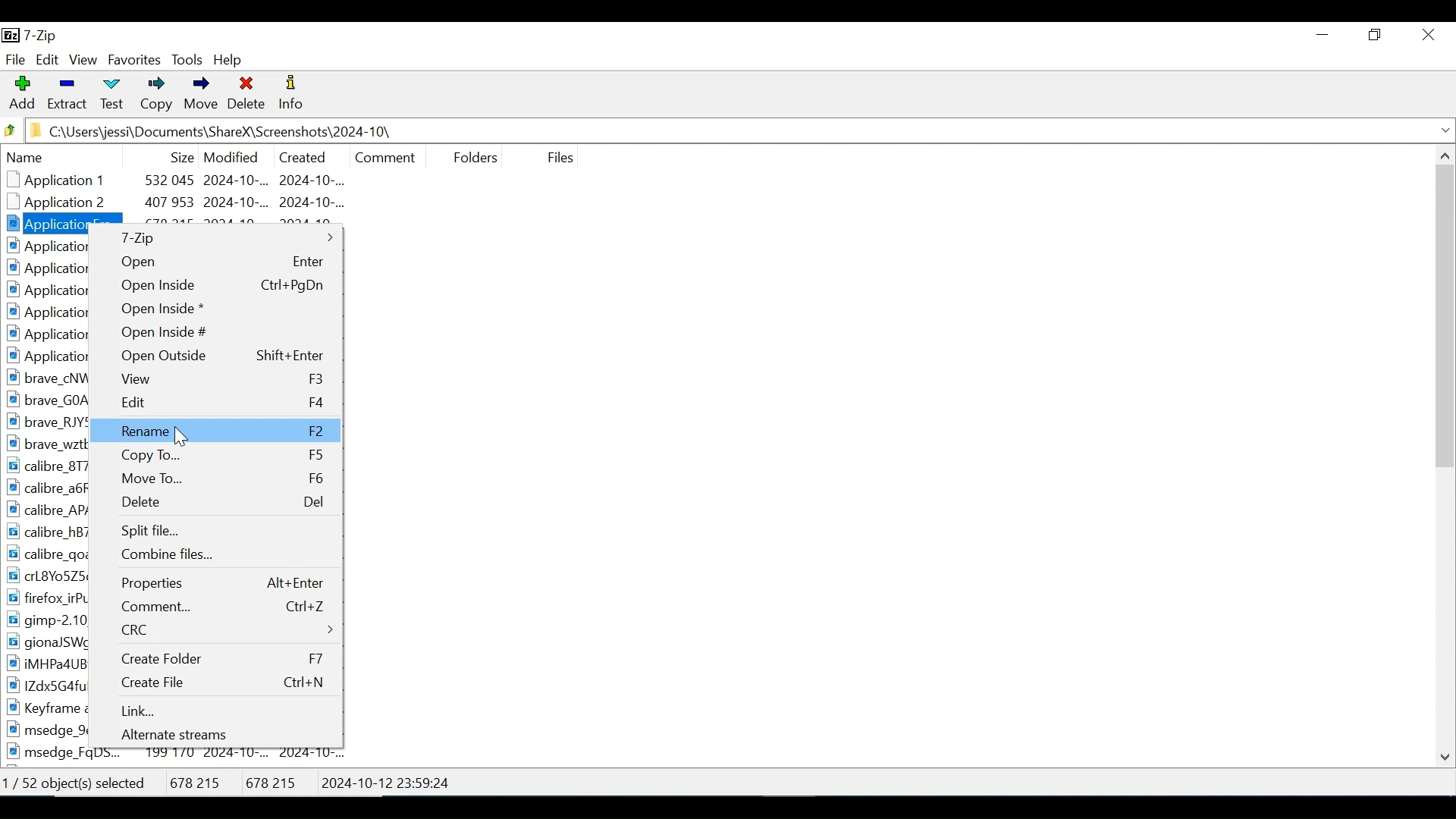  Describe the element at coordinates (218, 378) in the screenshot. I see `View` at that location.